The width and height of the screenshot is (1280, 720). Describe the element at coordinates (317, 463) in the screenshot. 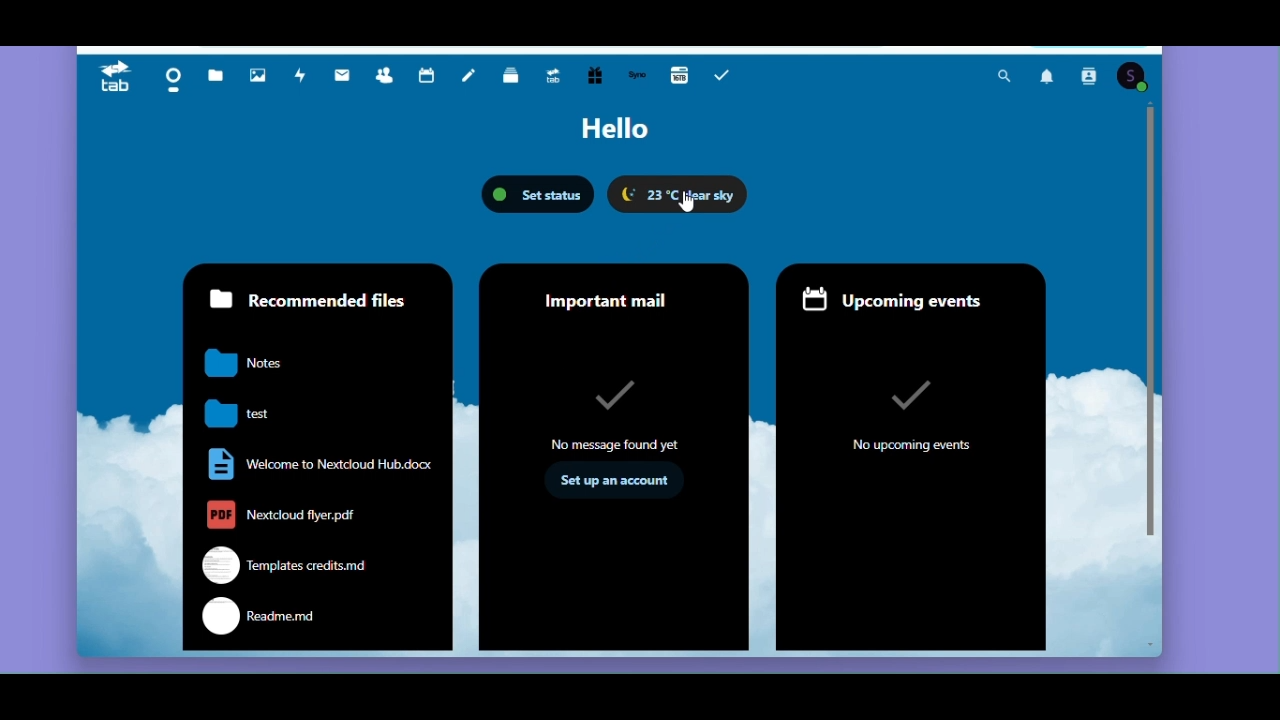

I see `welcome to nextcloud.docx` at that location.